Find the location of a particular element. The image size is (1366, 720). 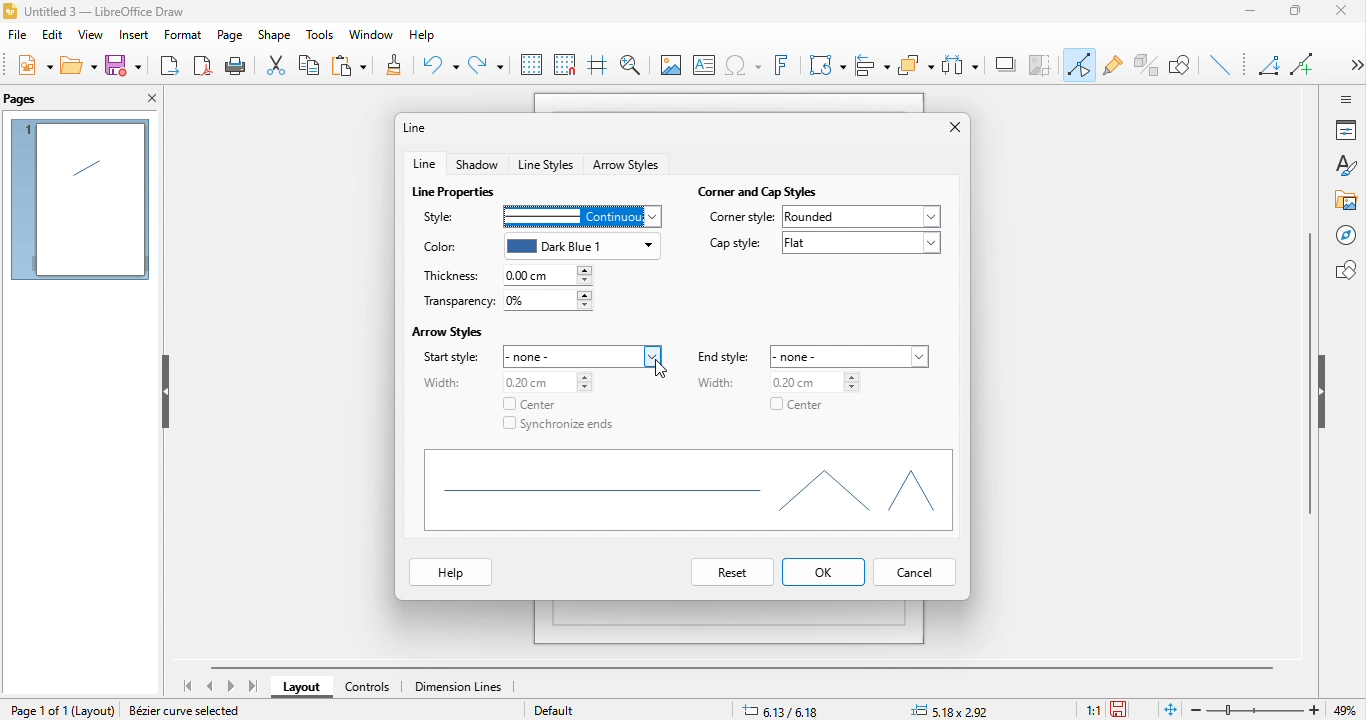

none is located at coordinates (854, 354).